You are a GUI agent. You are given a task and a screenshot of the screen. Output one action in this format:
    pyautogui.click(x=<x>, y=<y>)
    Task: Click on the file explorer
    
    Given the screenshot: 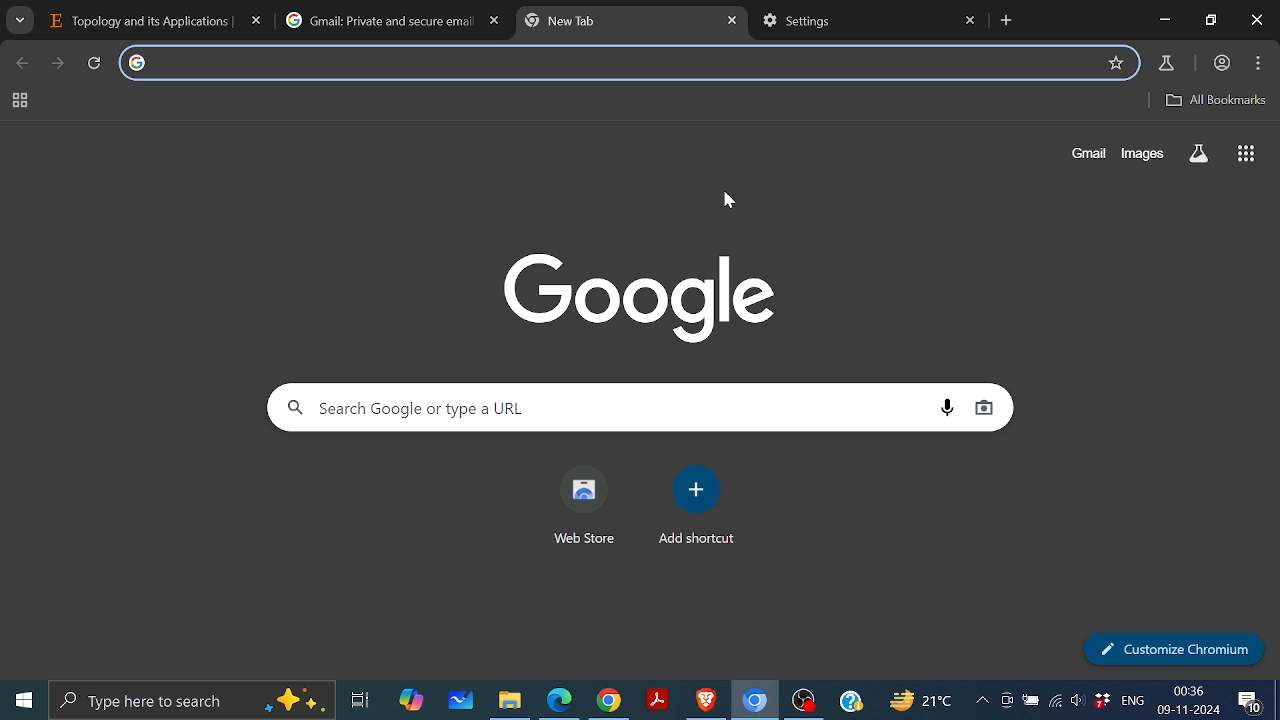 What is the action you would take?
    pyautogui.click(x=513, y=701)
    